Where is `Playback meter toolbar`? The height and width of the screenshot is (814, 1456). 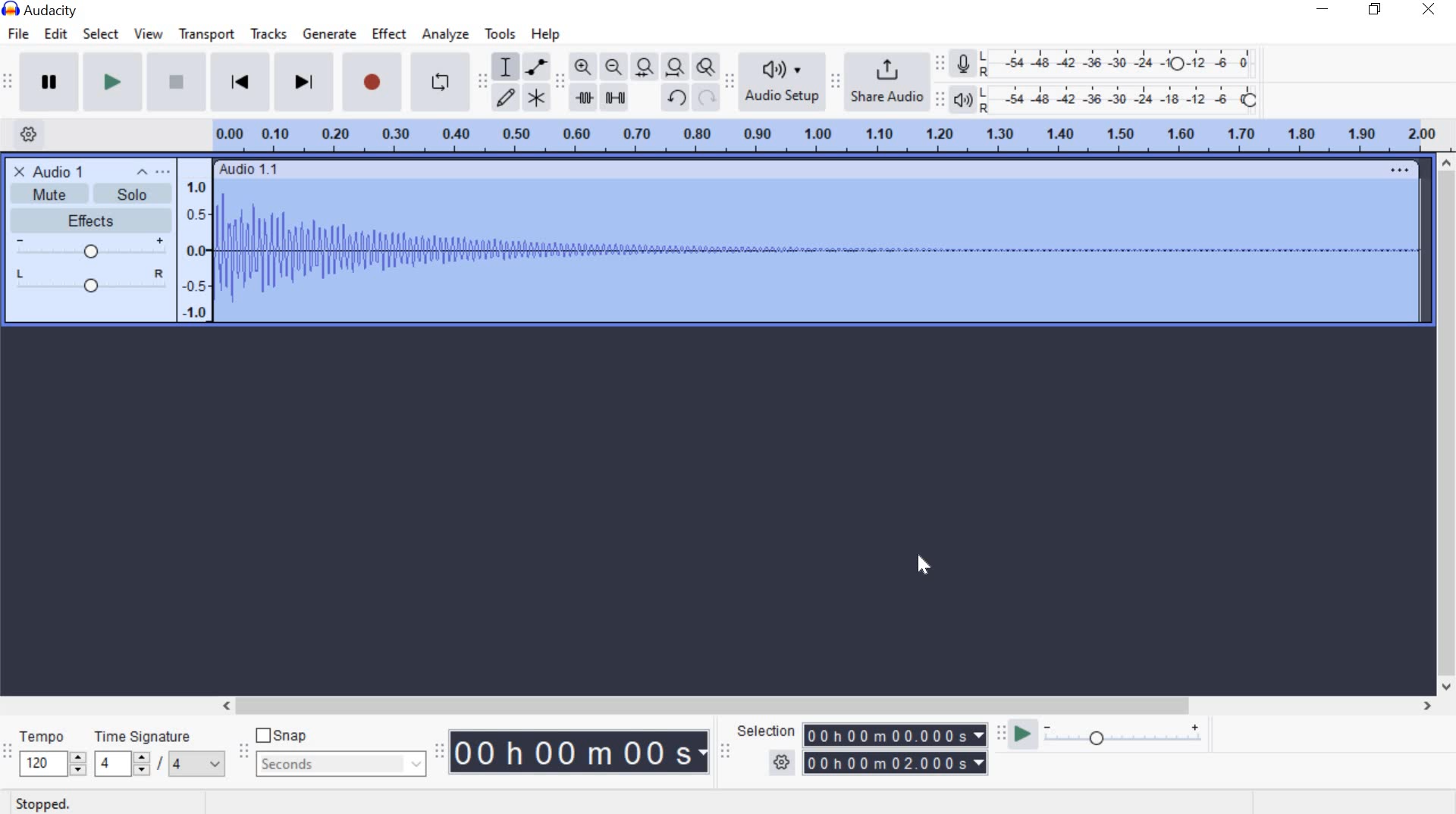
Playback meter toolbar is located at coordinates (938, 99).